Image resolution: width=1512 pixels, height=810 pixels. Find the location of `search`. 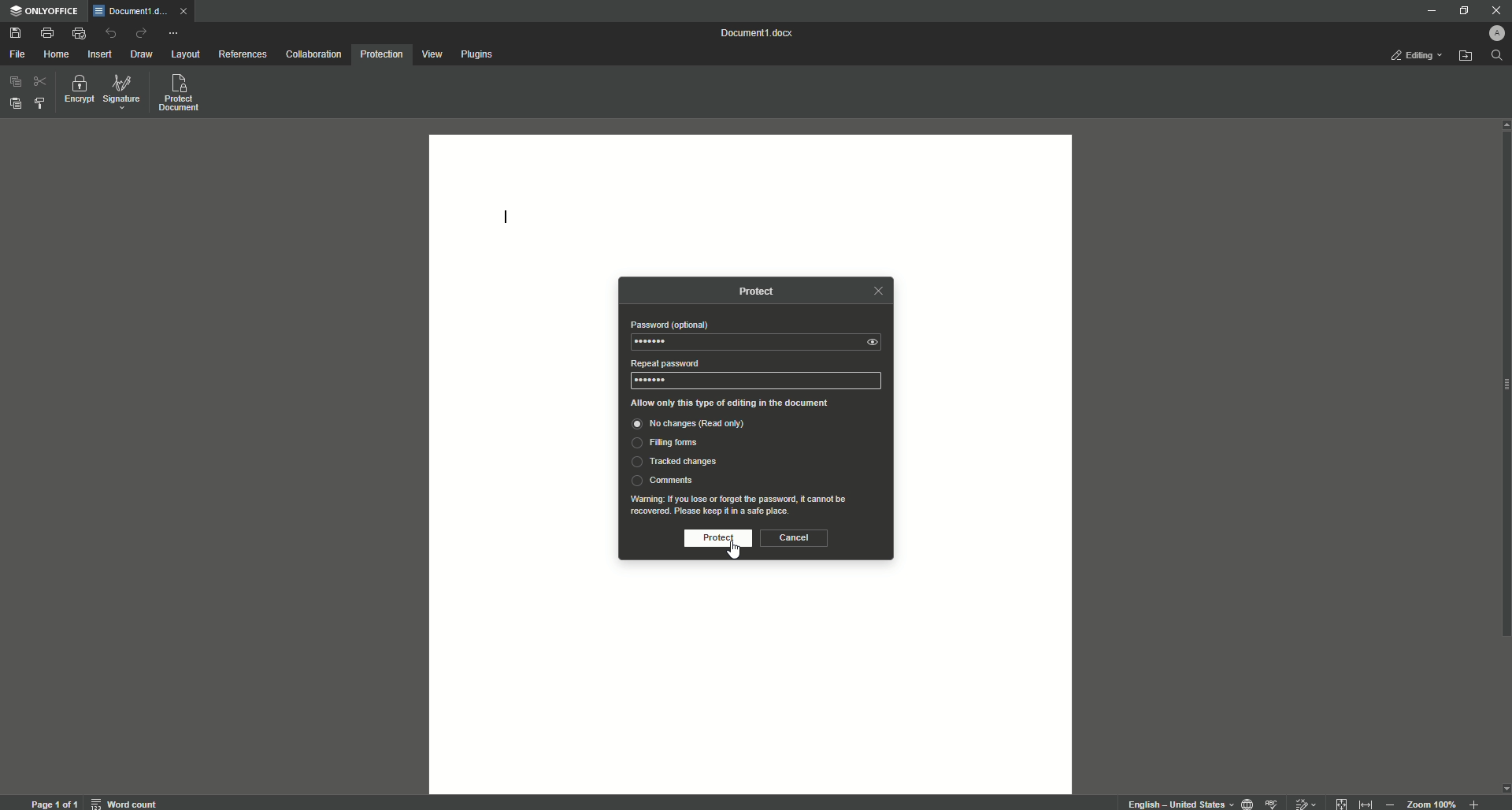

search is located at coordinates (1498, 56).